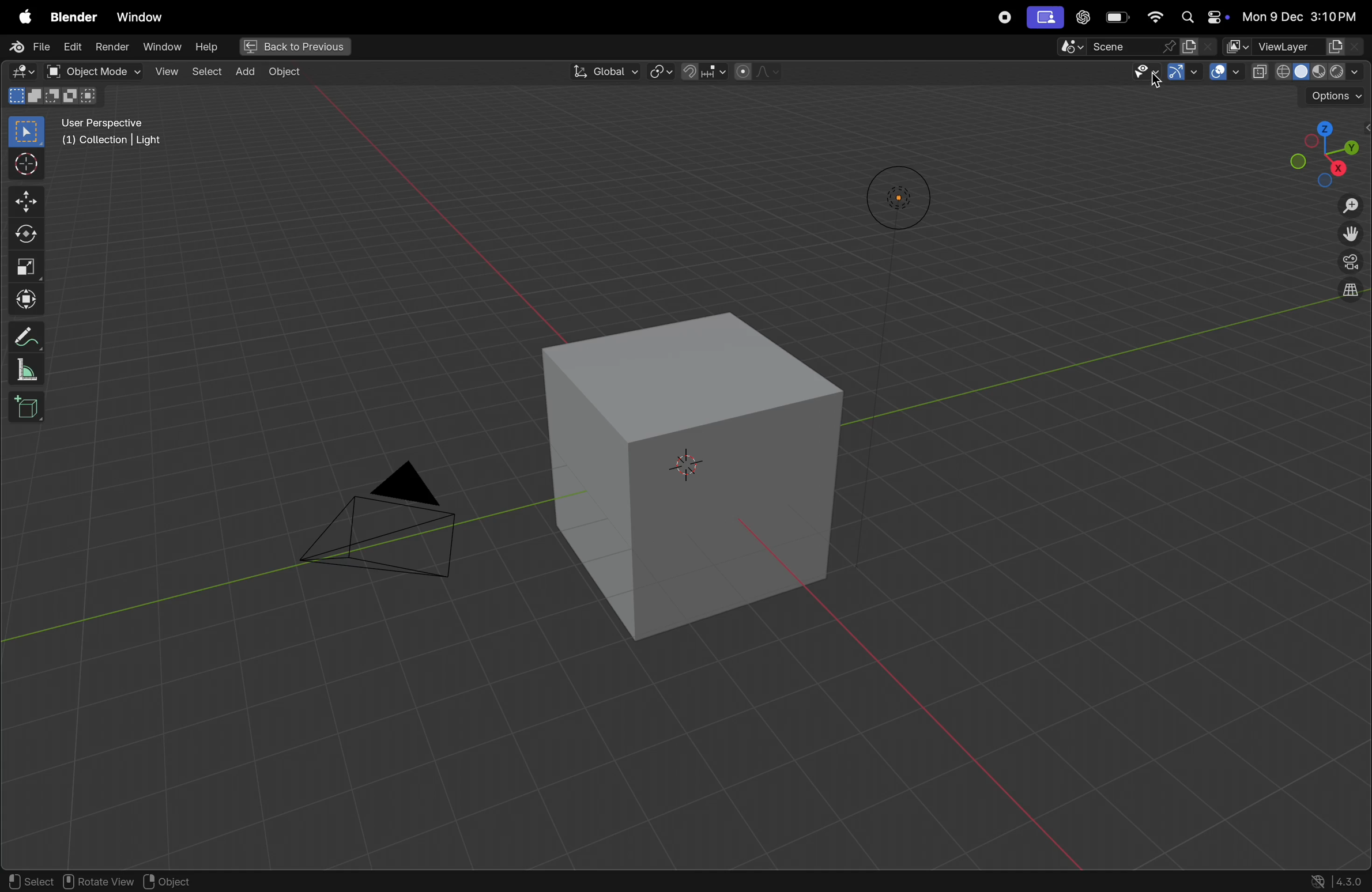  I want to click on show gimzo, so click(1181, 73).